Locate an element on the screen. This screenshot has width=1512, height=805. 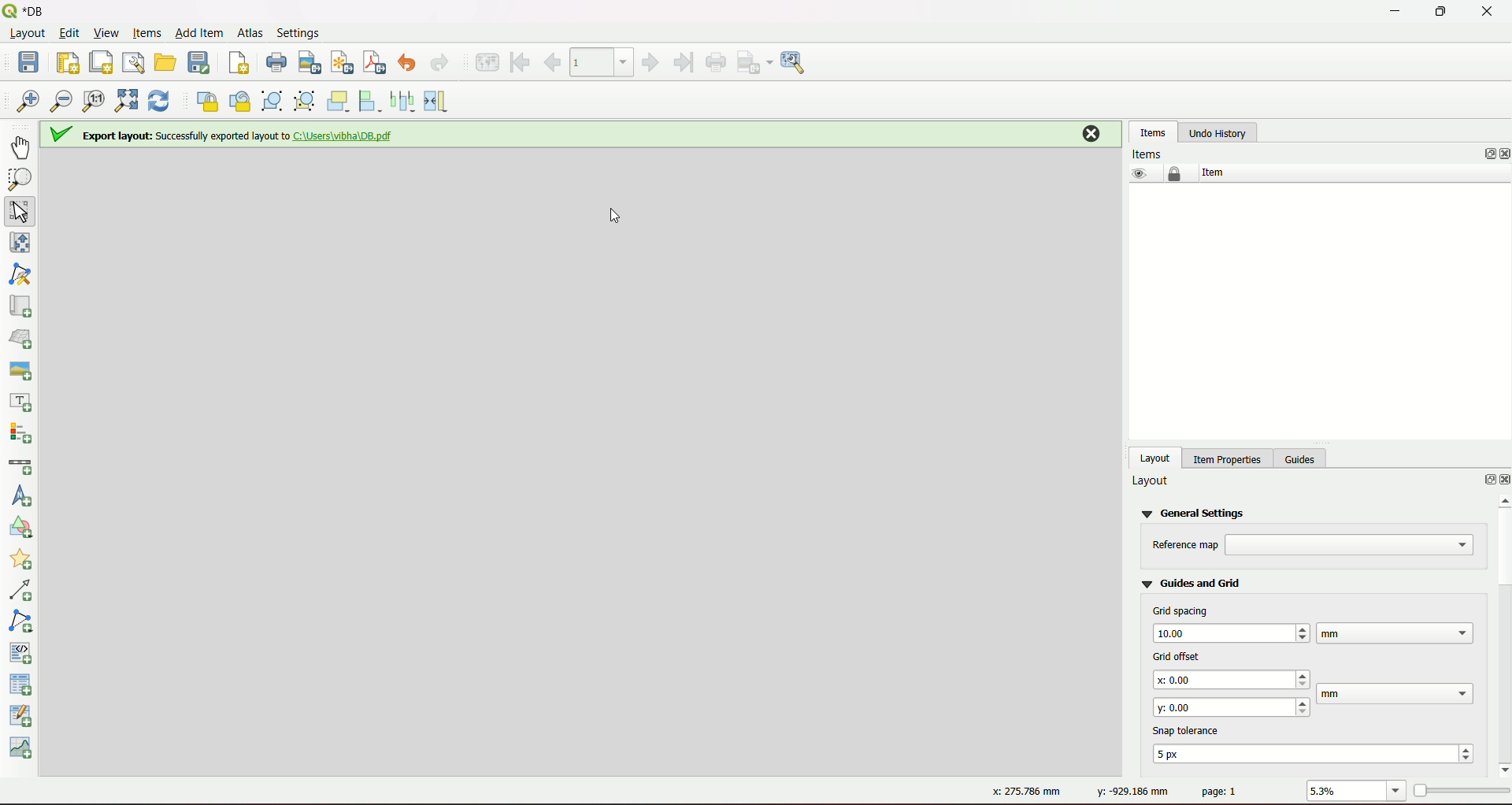
zoom full is located at coordinates (124, 102).